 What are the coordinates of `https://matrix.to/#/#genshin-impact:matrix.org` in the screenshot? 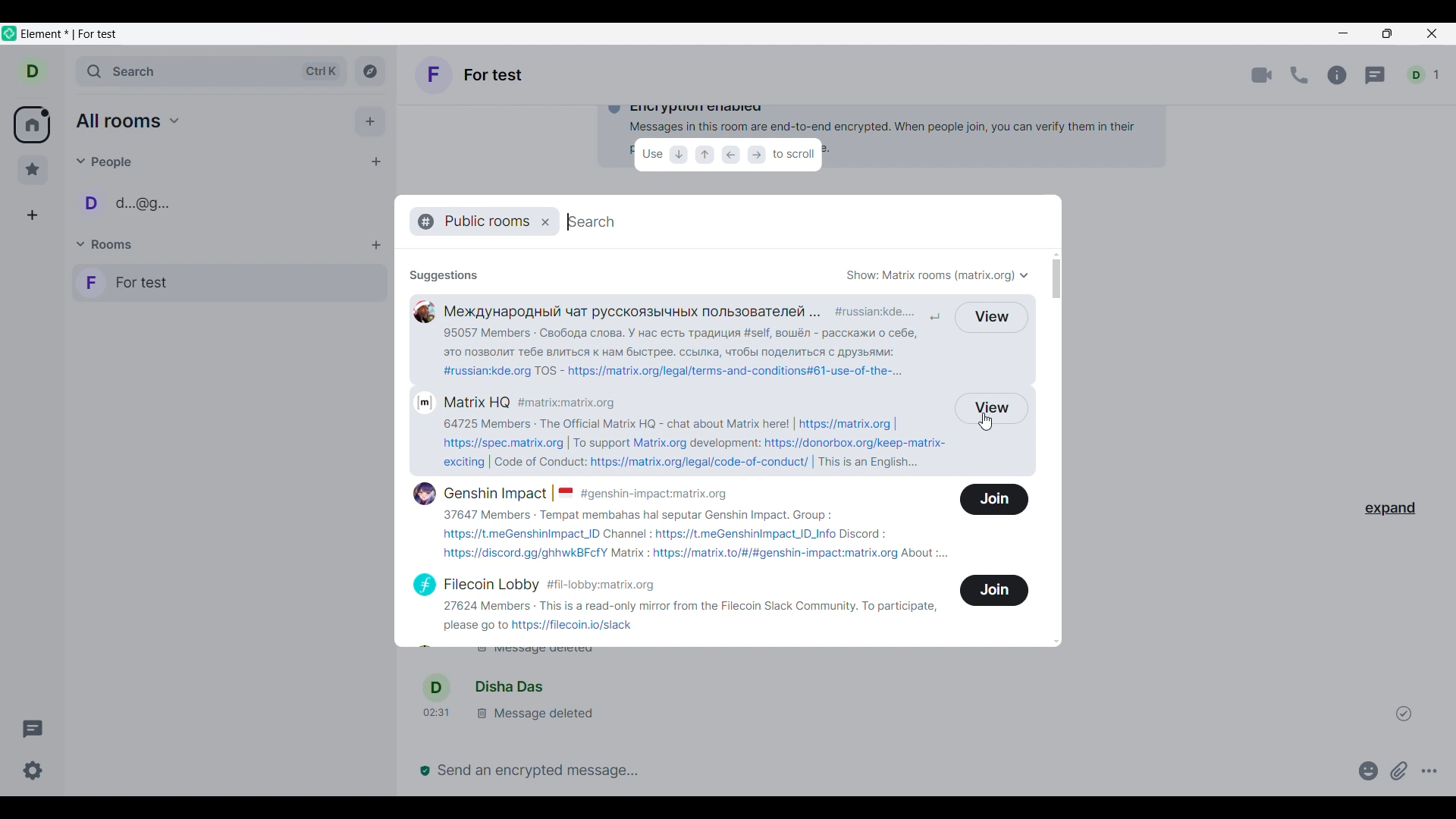 It's located at (777, 554).